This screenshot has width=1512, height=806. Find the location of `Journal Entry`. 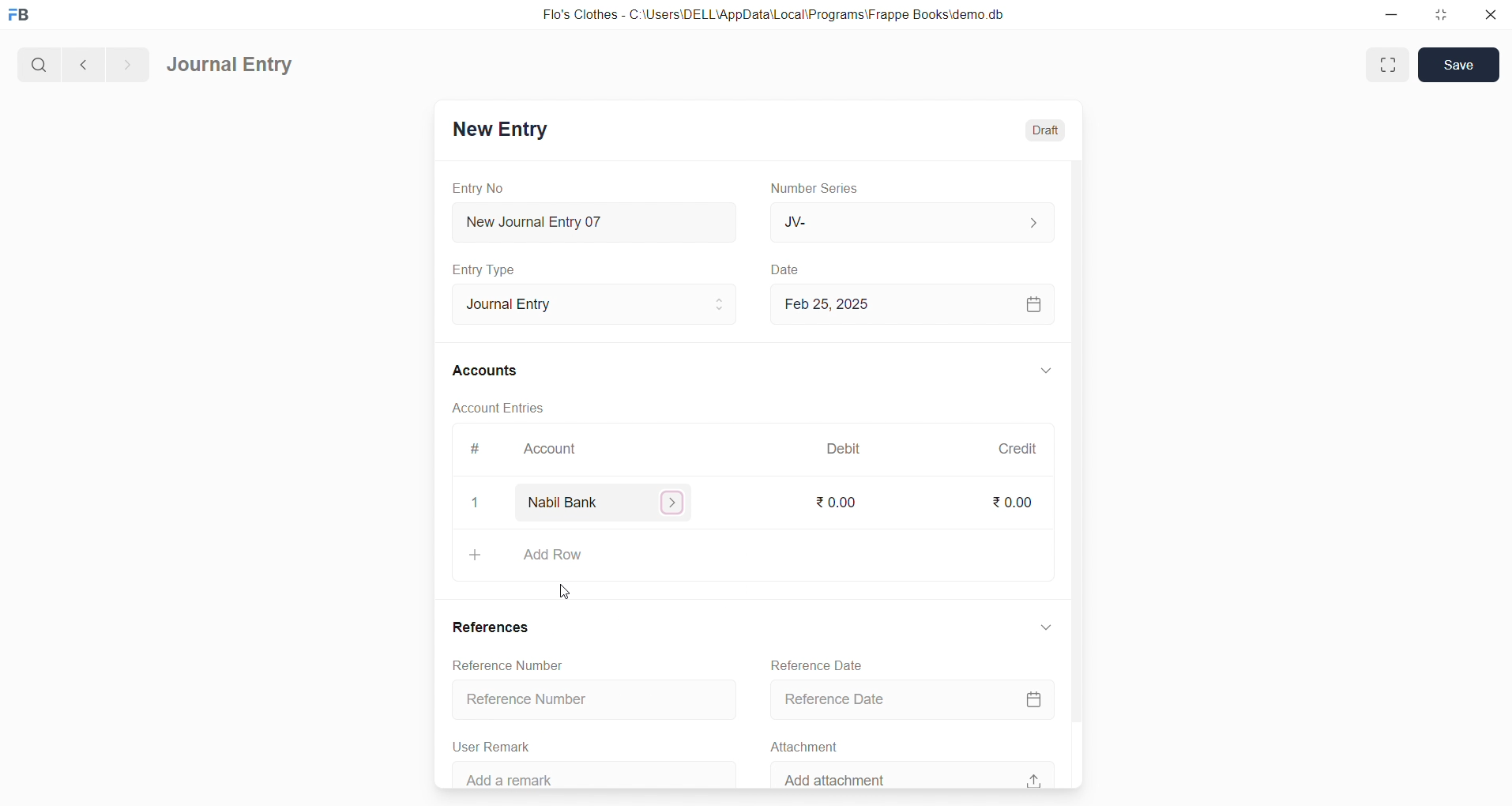

Journal Entry is located at coordinates (231, 66).